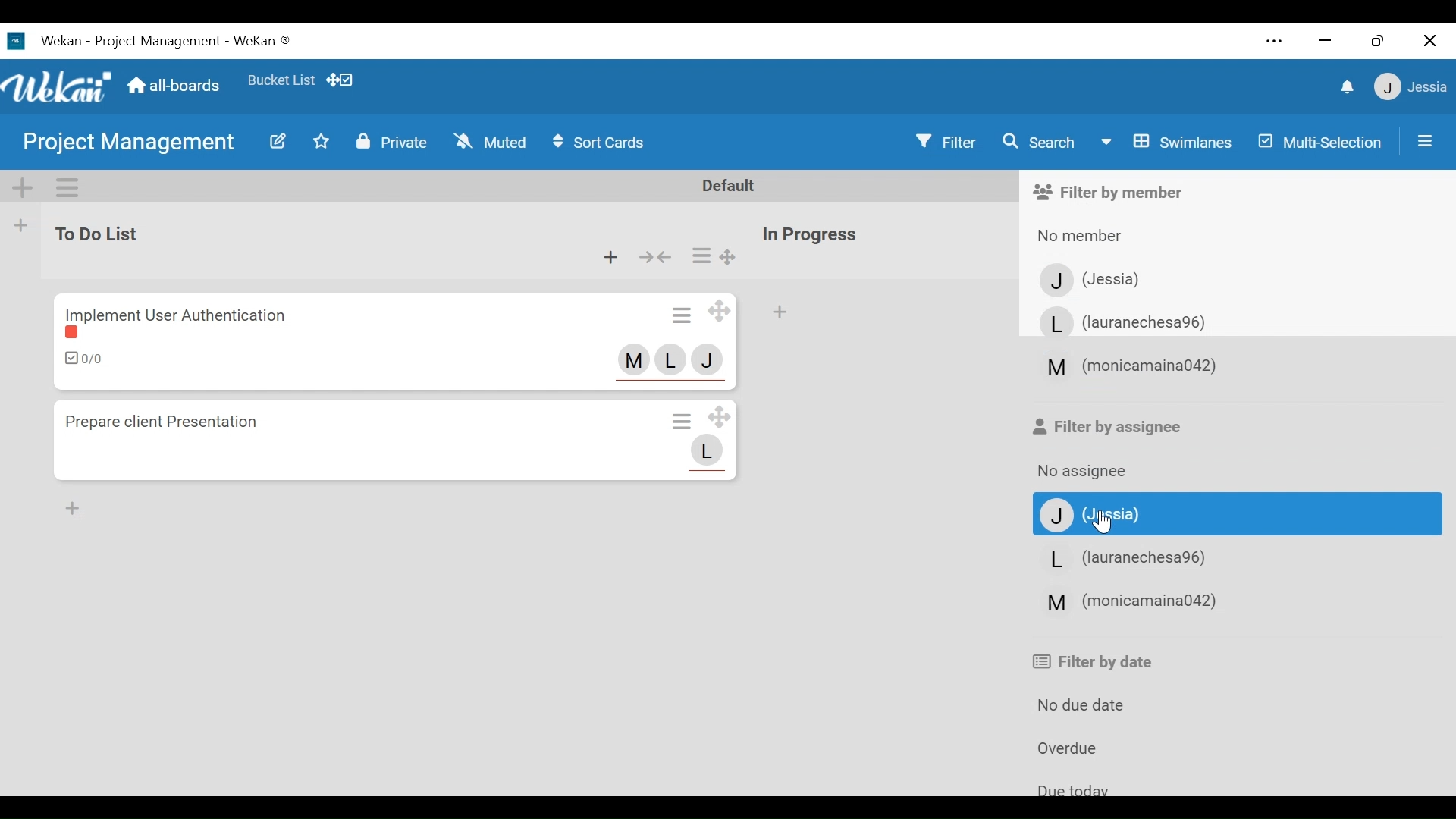 The image size is (1456, 819). What do you see at coordinates (58, 85) in the screenshot?
I see `Wekan Logo` at bounding box center [58, 85].